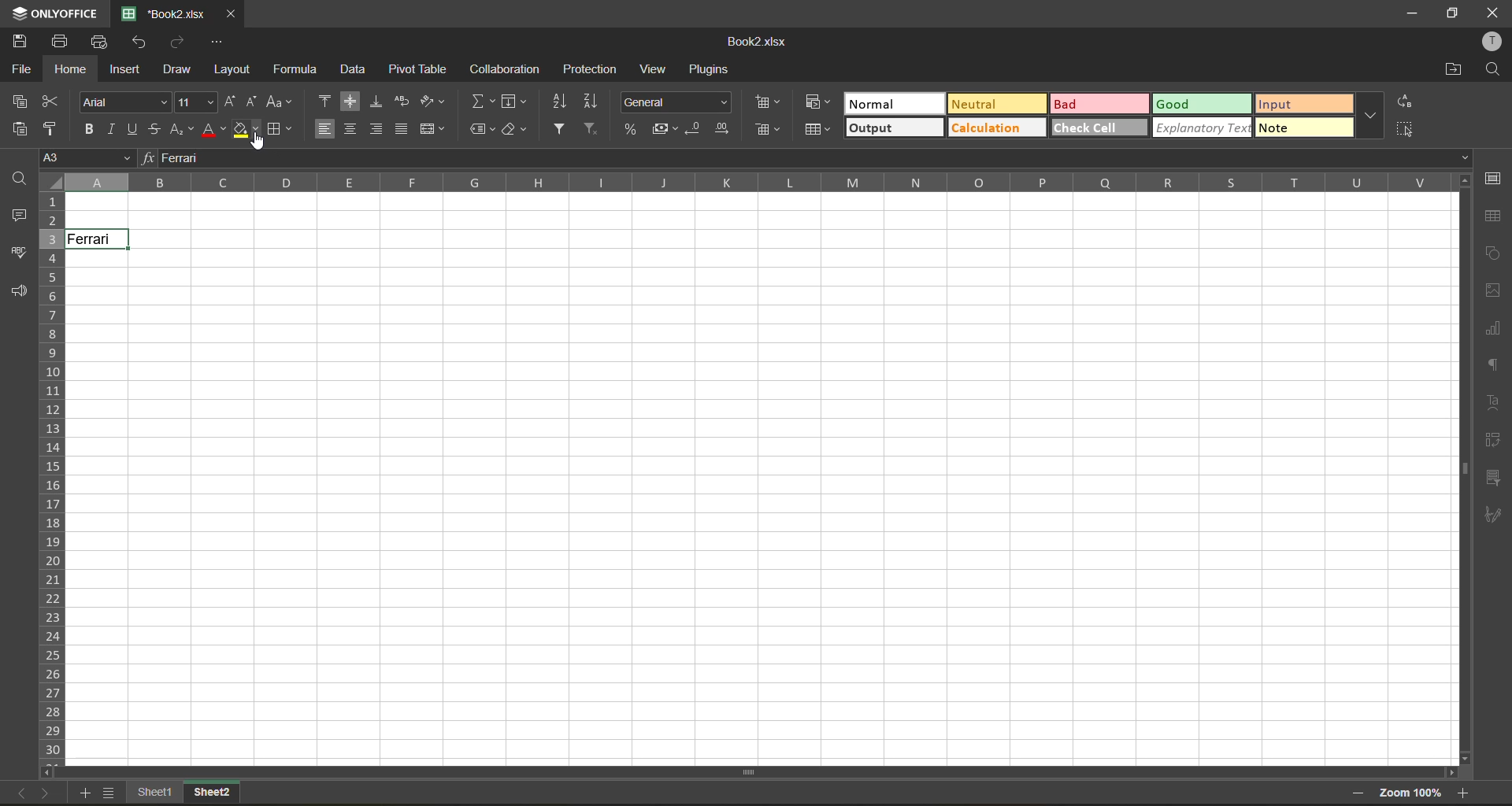 Image resolution: width=1512 pixels, height=806 pixels. Describe the element at coordinates (1408, 103) in the screenshot. I see `replace` at that location.